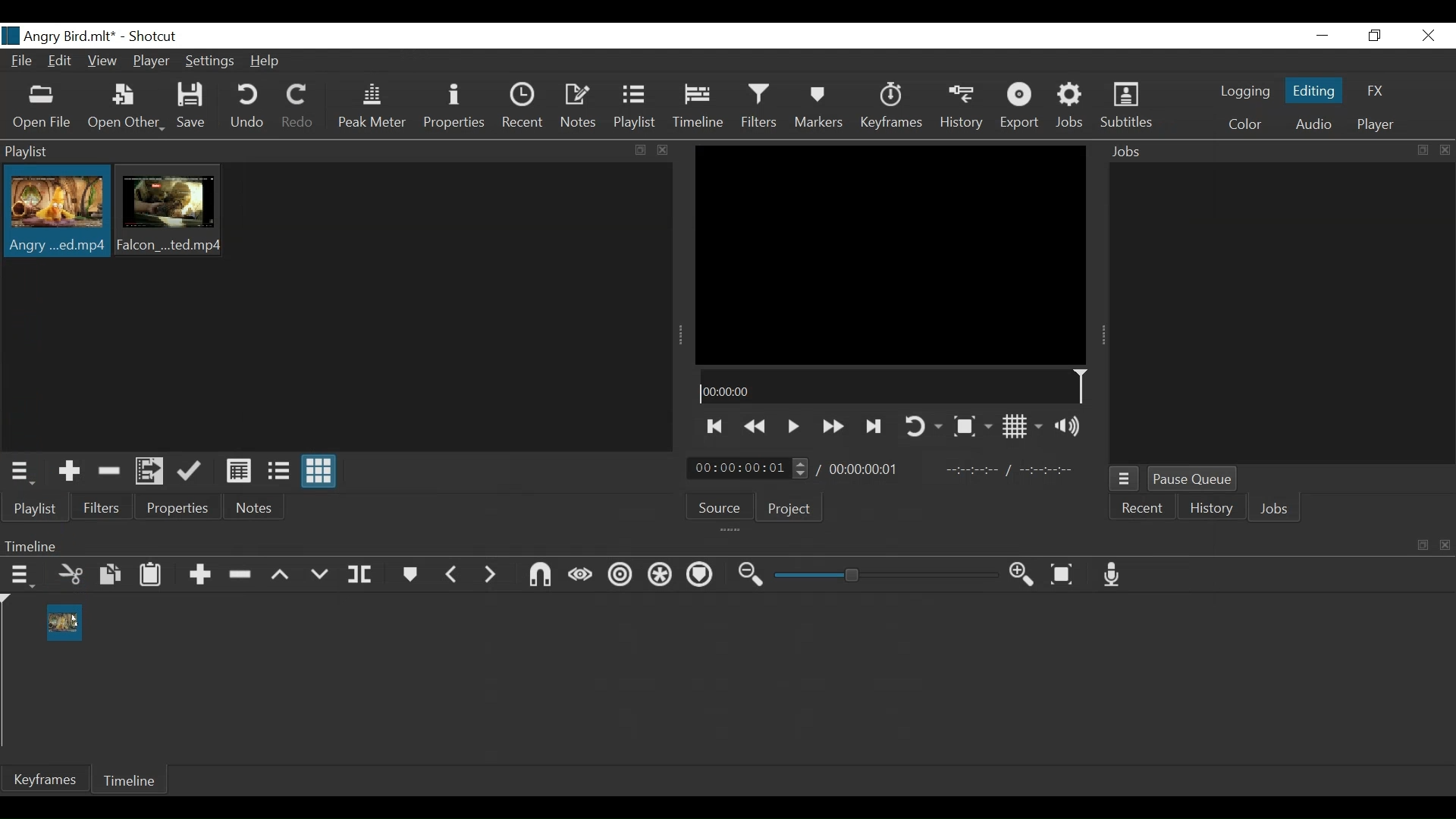  Describe the element at coordinates (750, 576) in the screenshot. I see `Zoom timeline out` at that location.